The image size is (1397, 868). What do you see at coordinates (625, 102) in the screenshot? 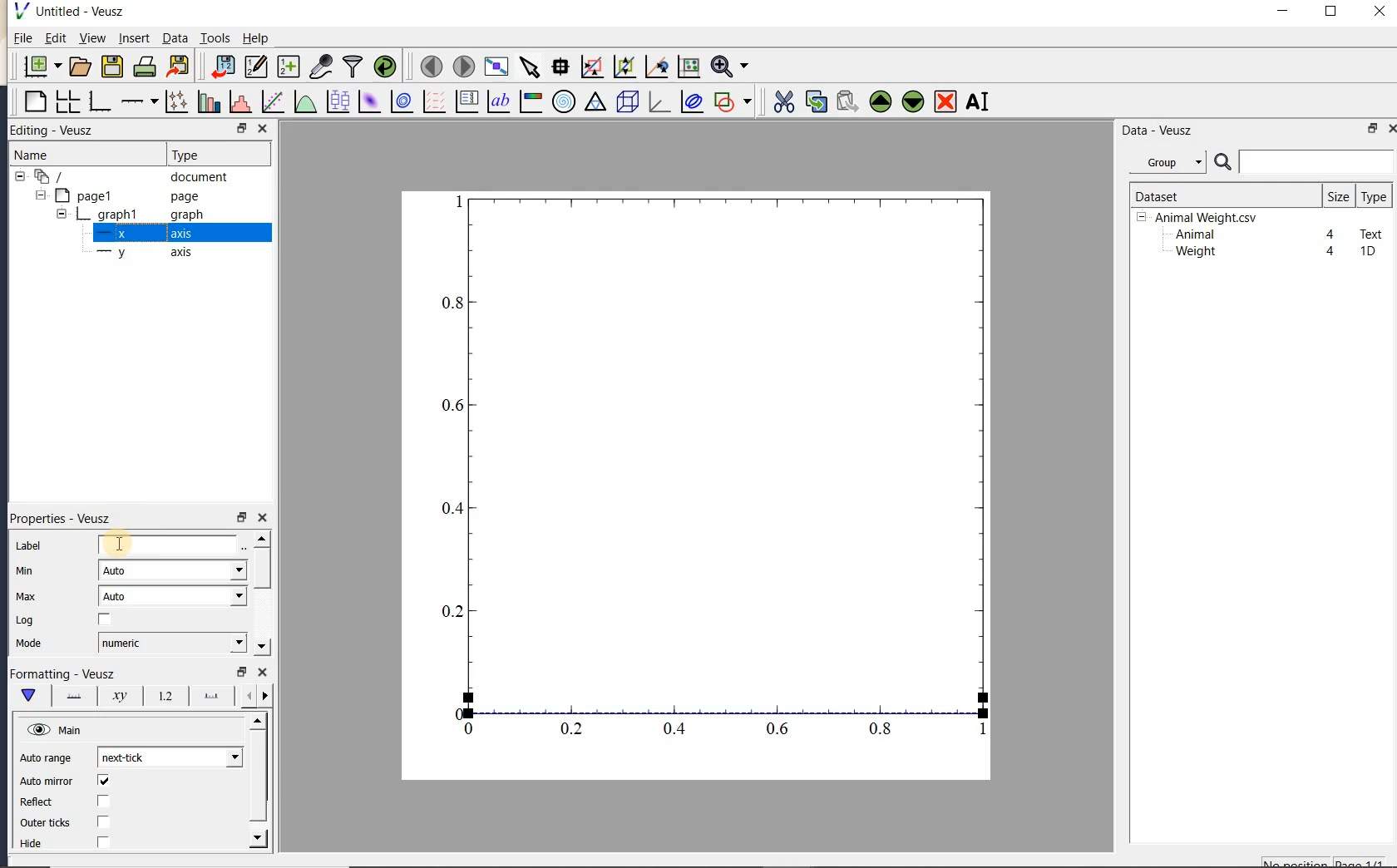
I see `3d scene` at bounding box center [625, 102].